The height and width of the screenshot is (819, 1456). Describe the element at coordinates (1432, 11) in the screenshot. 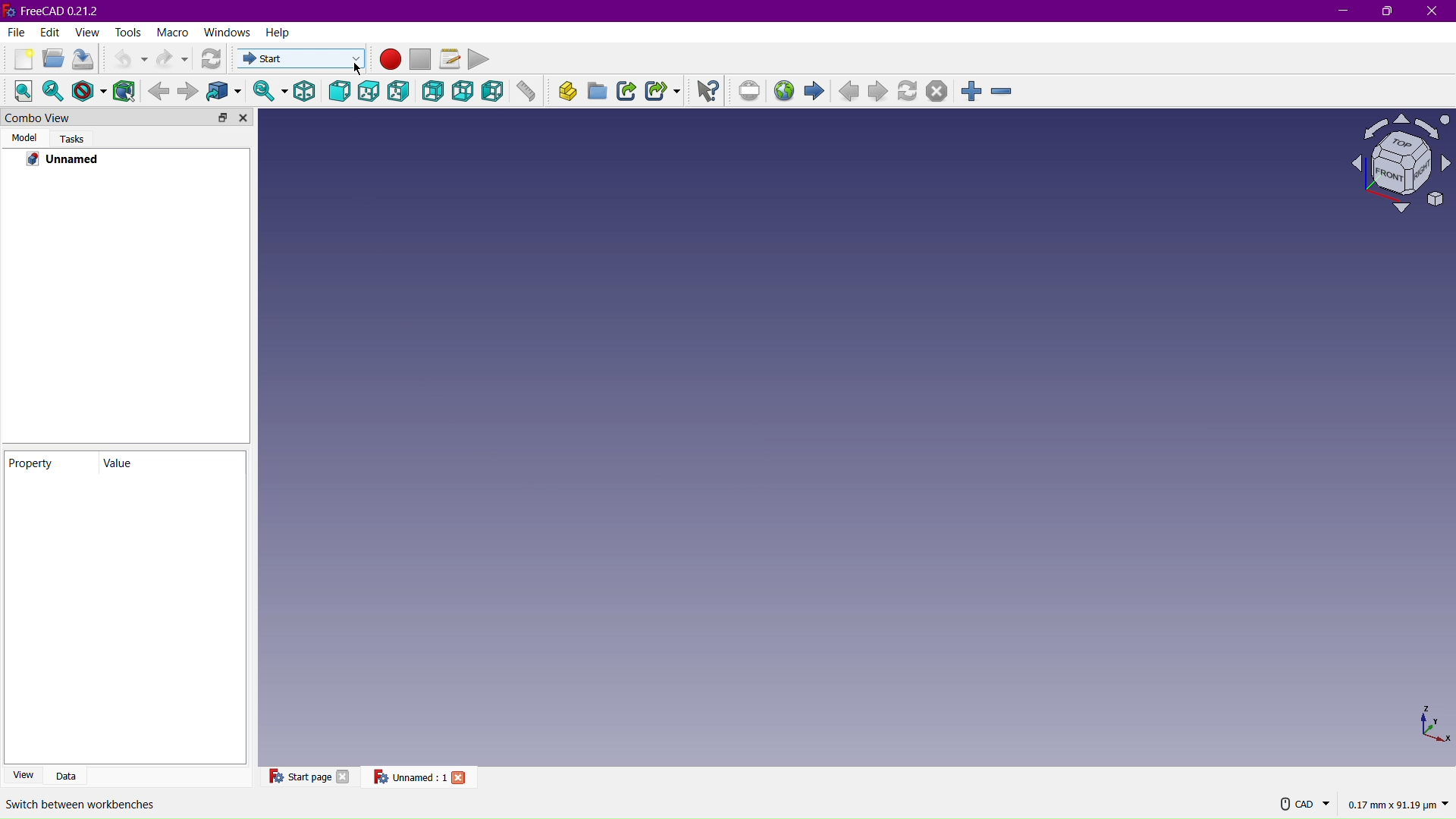

I see `Close` at that location.